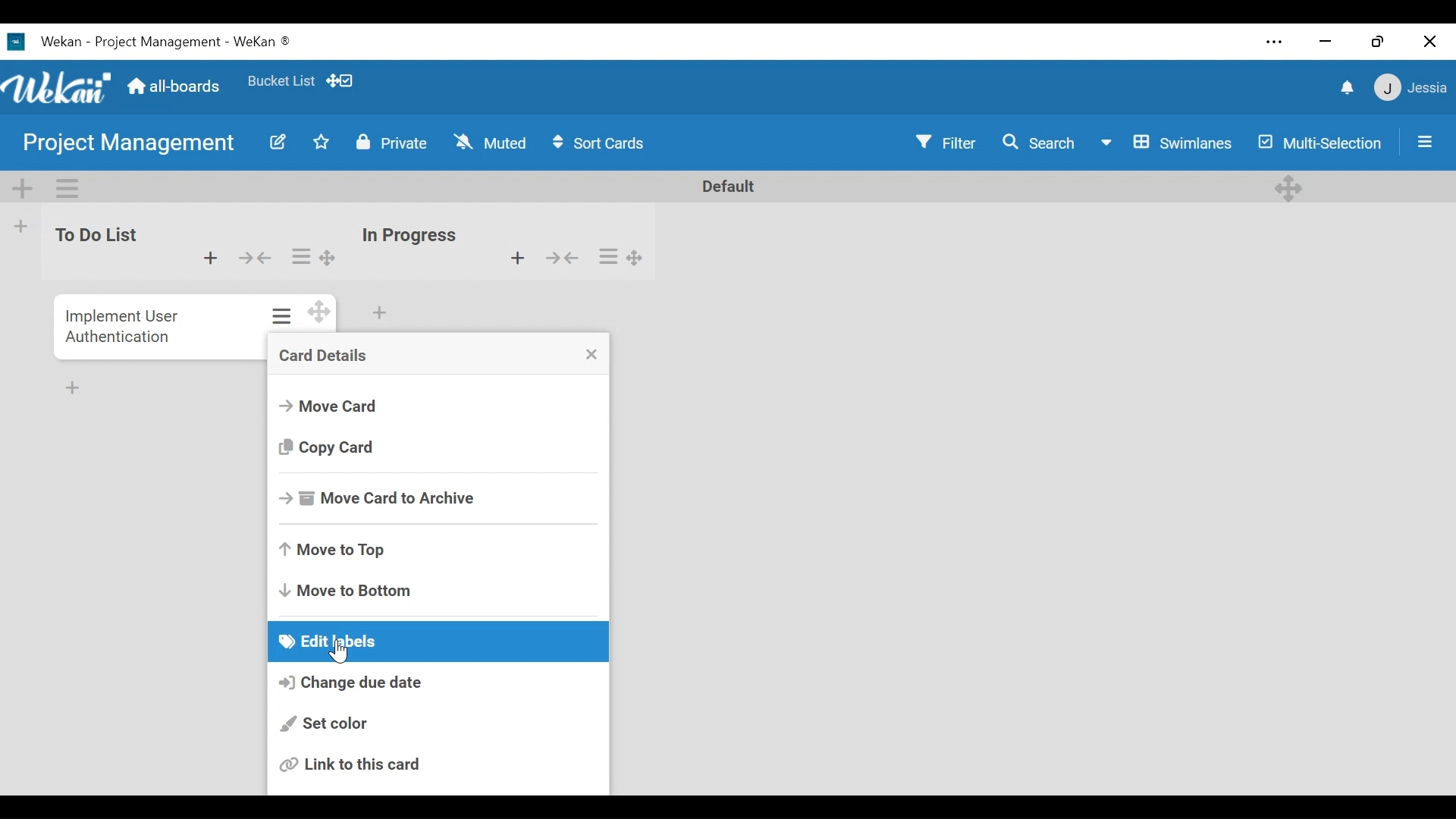 The height and width of the screenshot is (819, 1456). What do you see at coordinates (176, 88) in the screenshot?
I see `Home (all-boards)` at bounding box center [176, 88].